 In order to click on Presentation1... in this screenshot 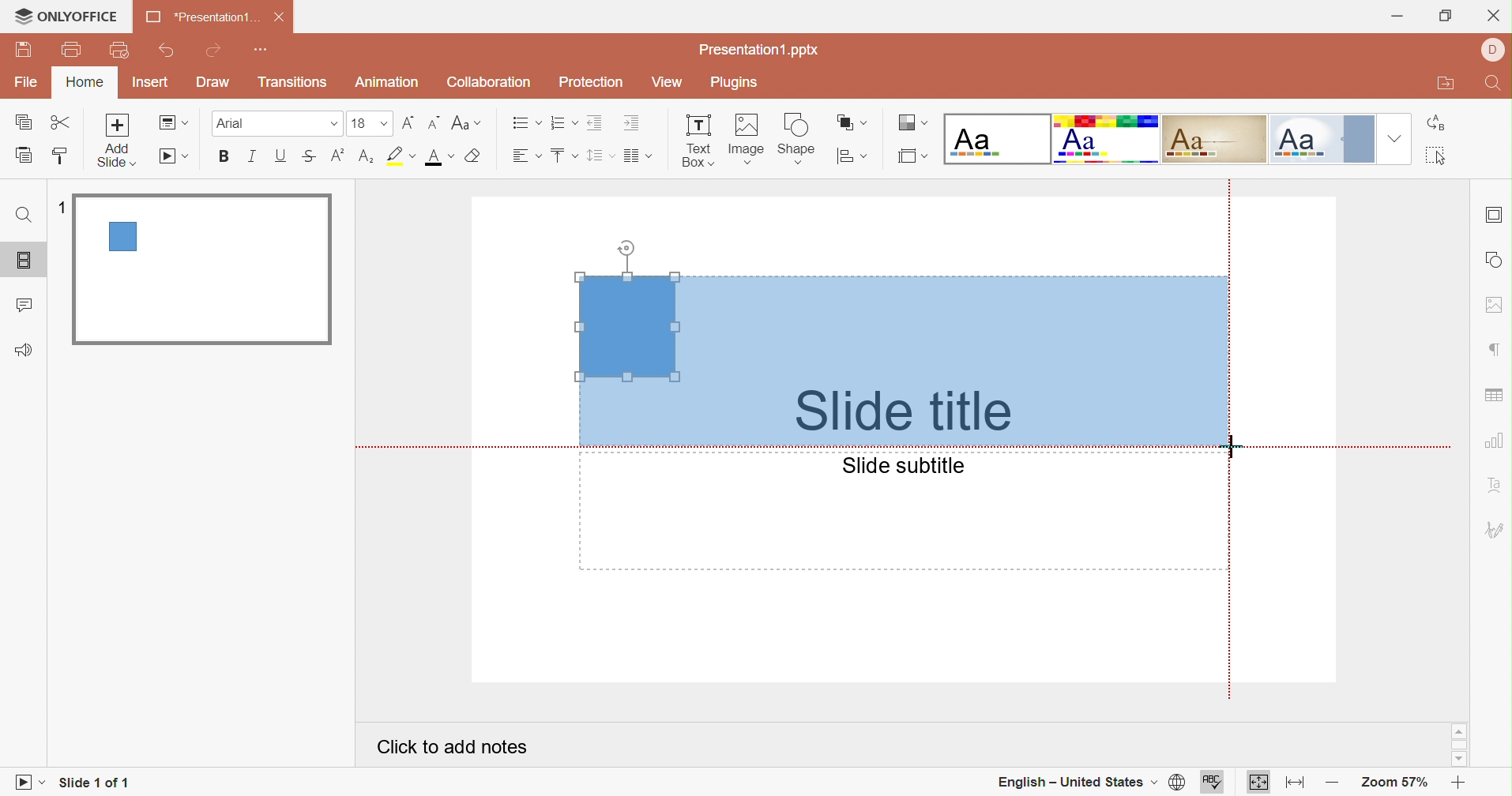, I will do `click(201, 16)`.